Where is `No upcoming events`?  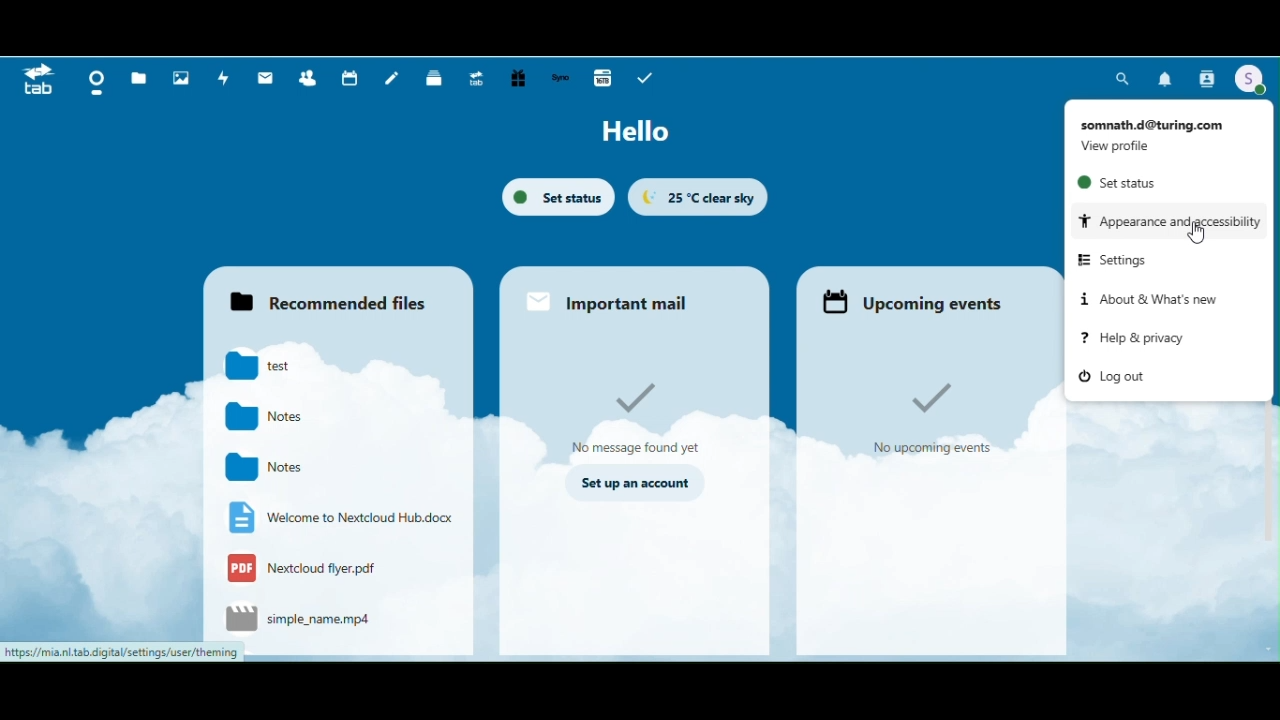 No upcoming events is located at coordinates (942, 414).